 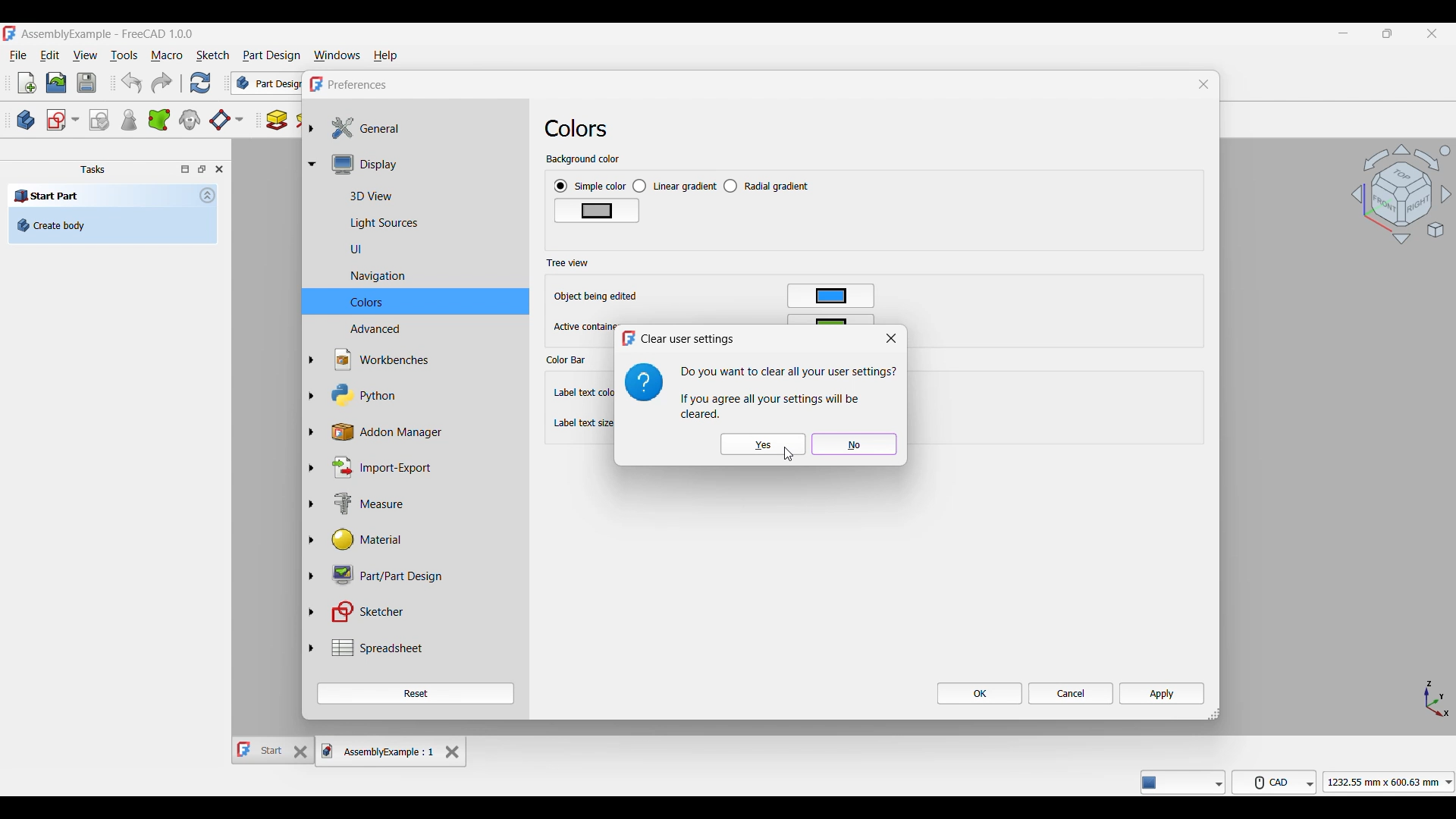 I want to click on Create body, so click(x=113, y=225).